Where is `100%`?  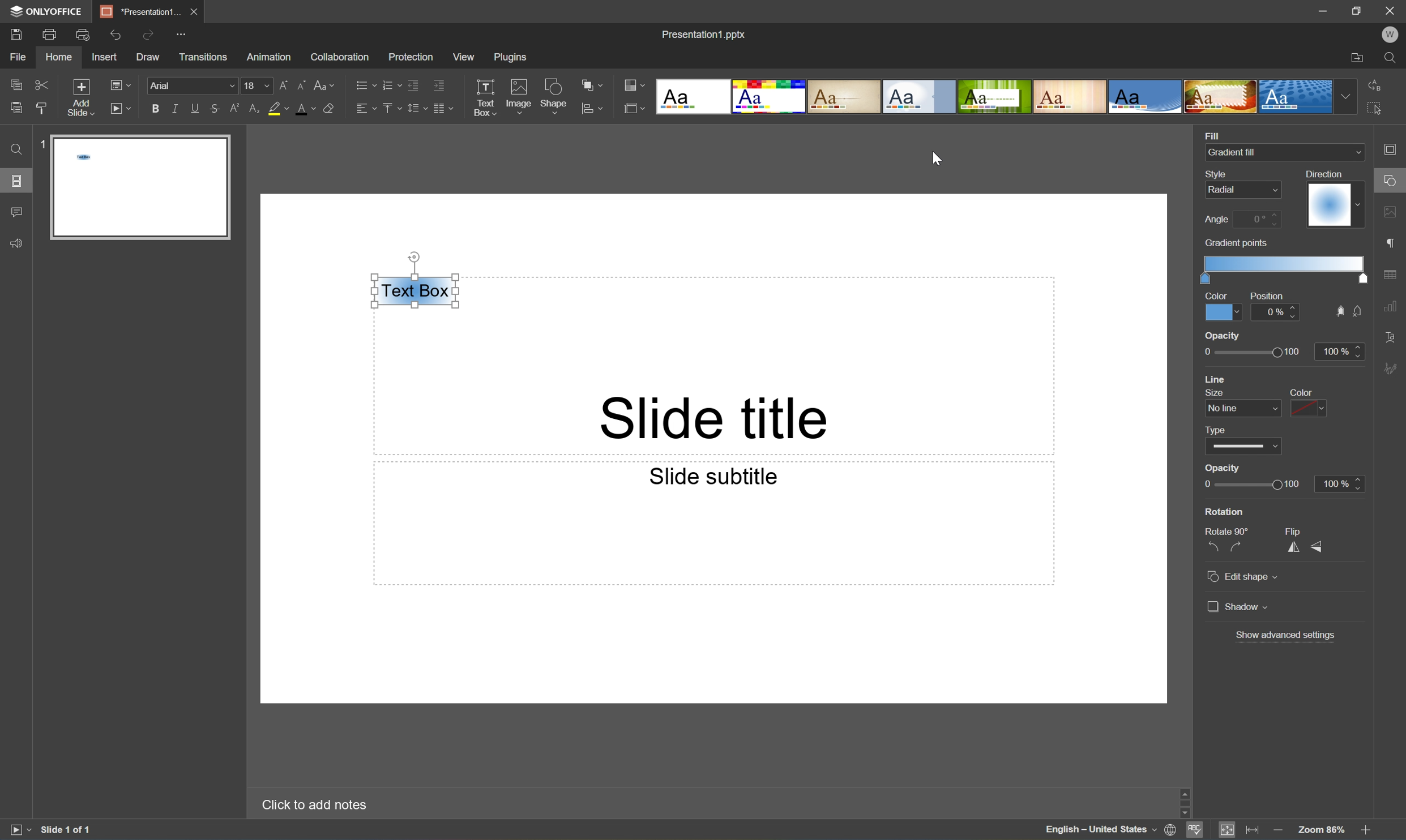 100% is located at coordinates (1340, 483).